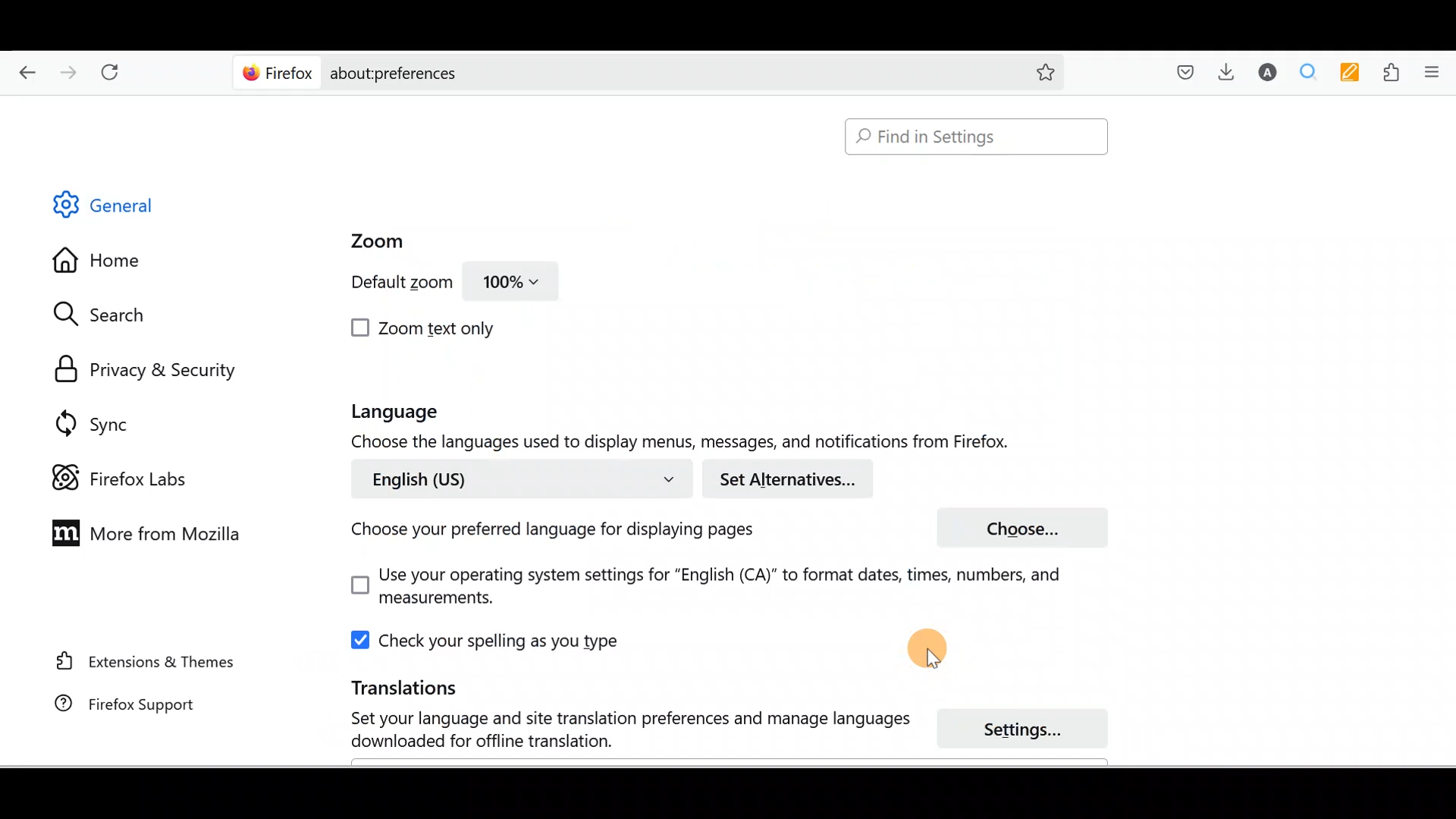 This screenshot has height=819, width=1456. What do you see at coordinates (152, 371) in the screenshot?
I see `Privacy & security` at bounding box center [152, 371].